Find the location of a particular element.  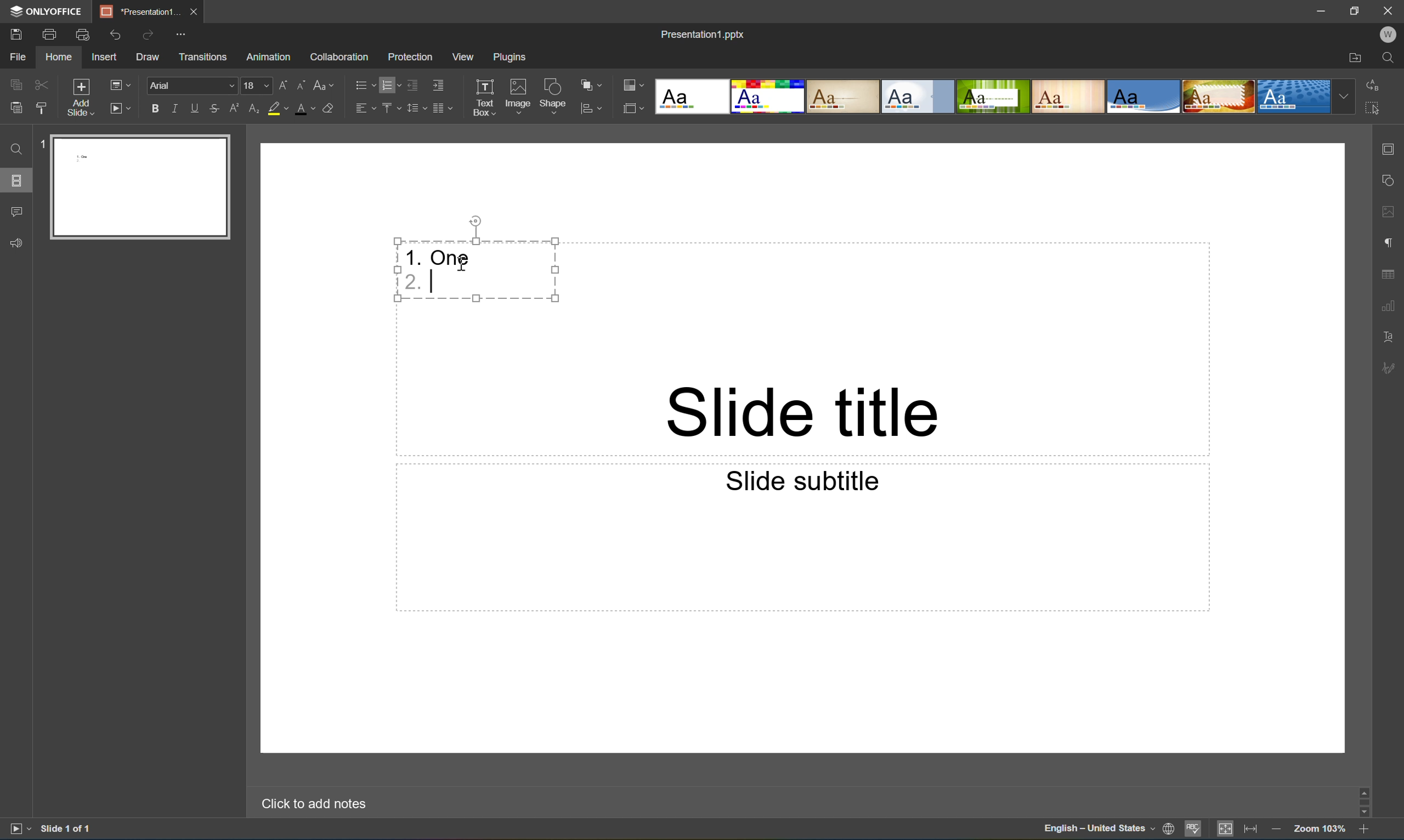

Print file is located at coordinates (51, 36).